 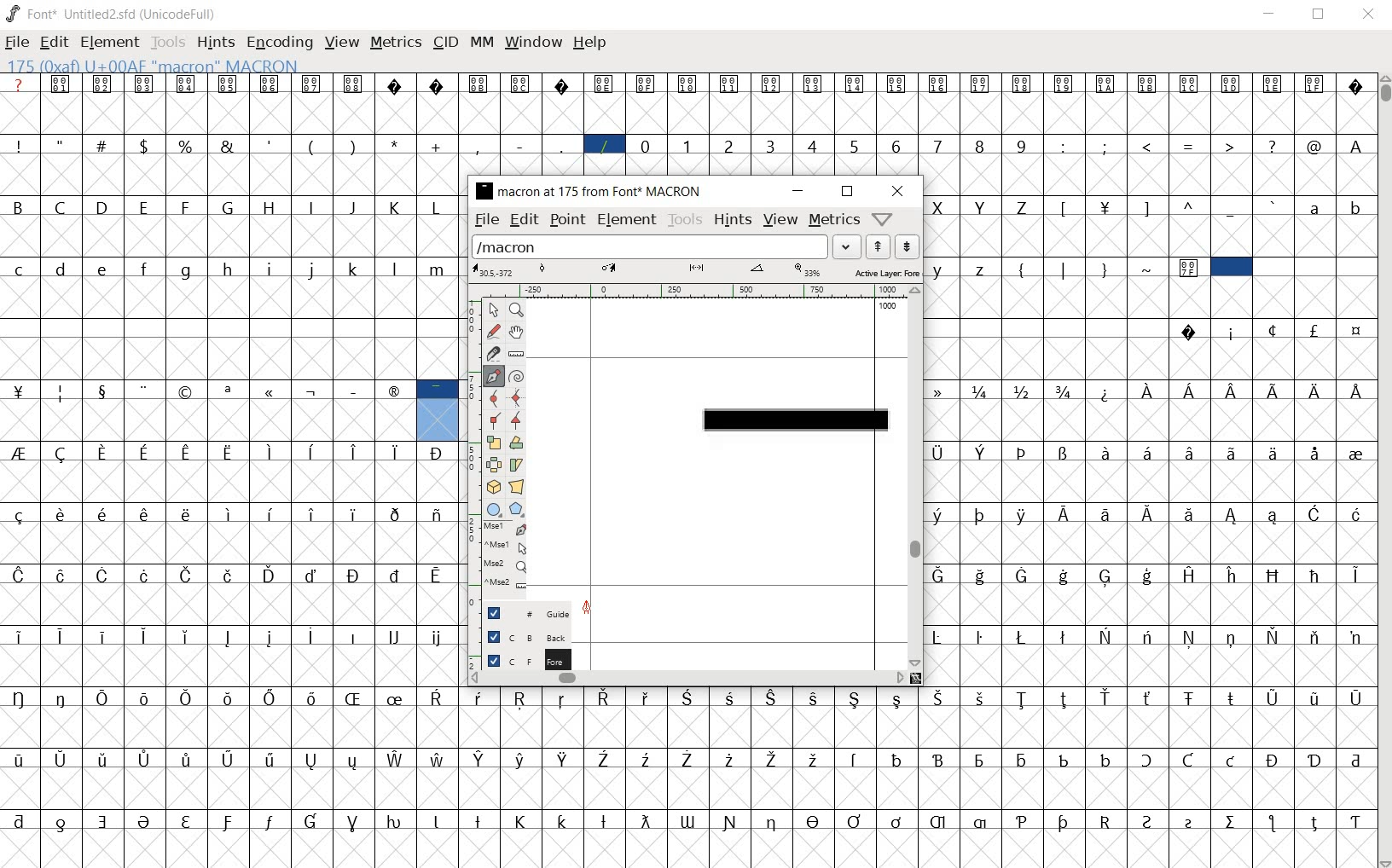 I want to click on Symbol, so click(x=20, y=698).